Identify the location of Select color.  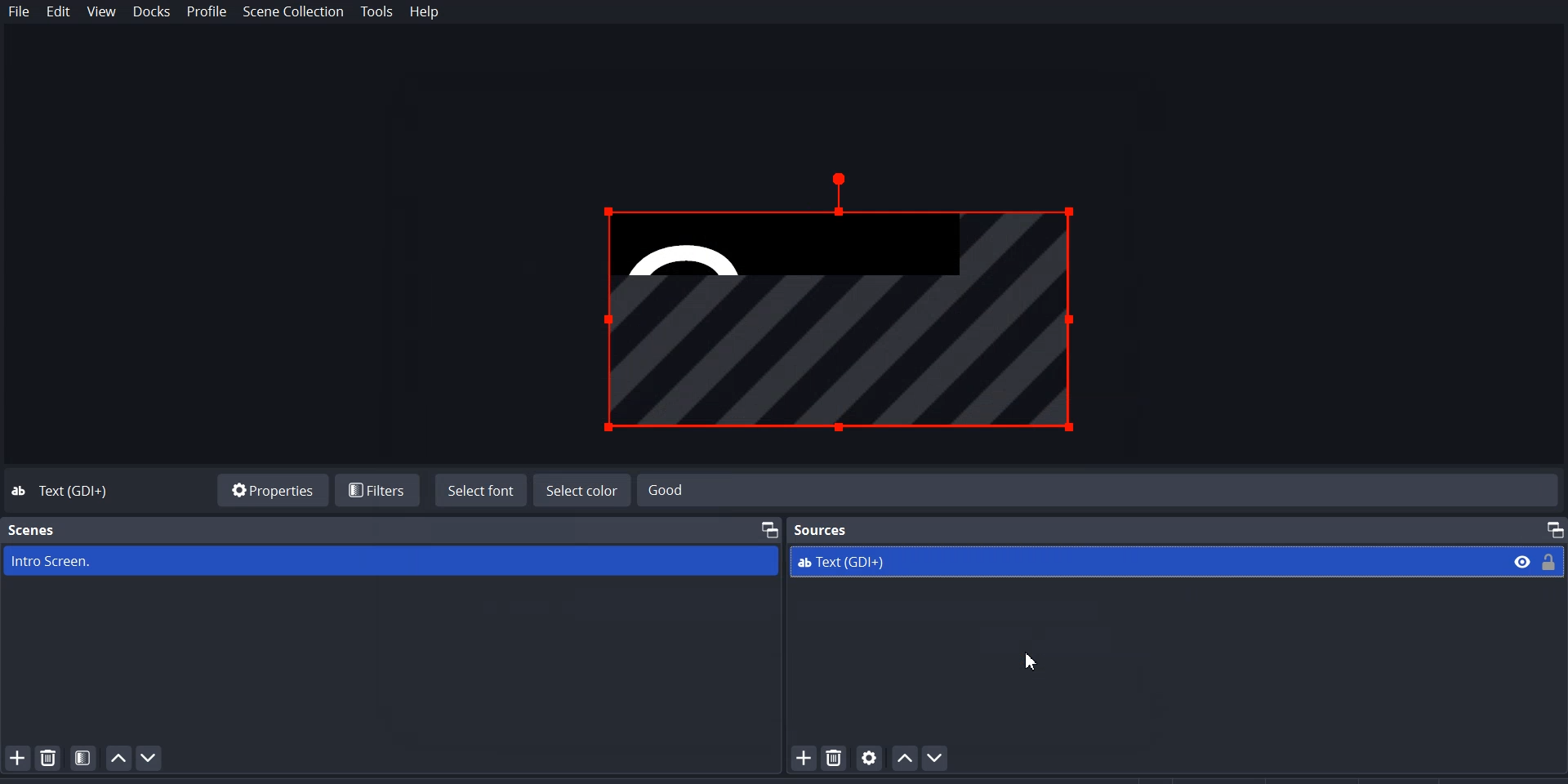
(581, 491).